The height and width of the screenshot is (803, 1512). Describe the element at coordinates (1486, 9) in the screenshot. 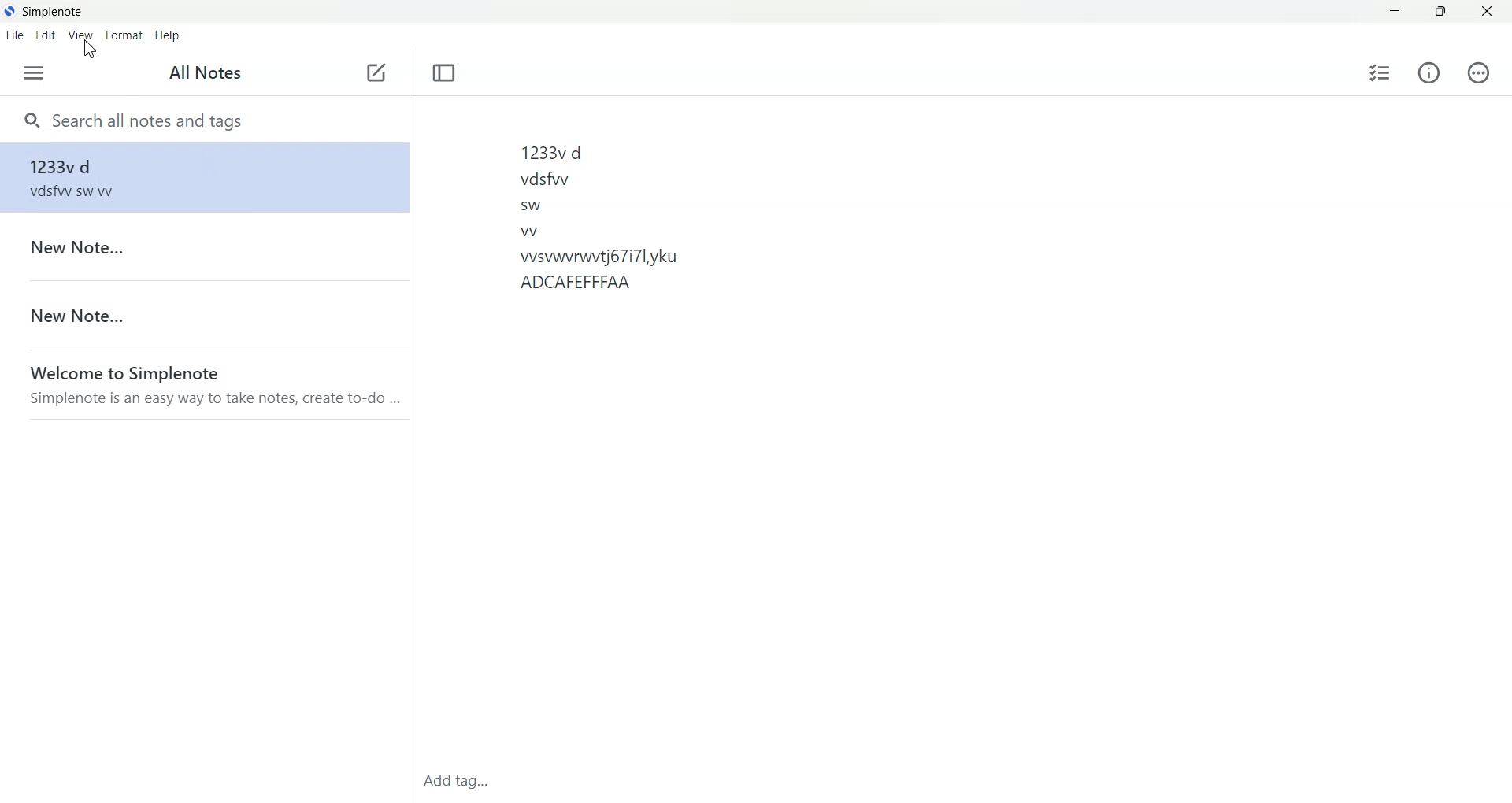

I see `Close` at that location.